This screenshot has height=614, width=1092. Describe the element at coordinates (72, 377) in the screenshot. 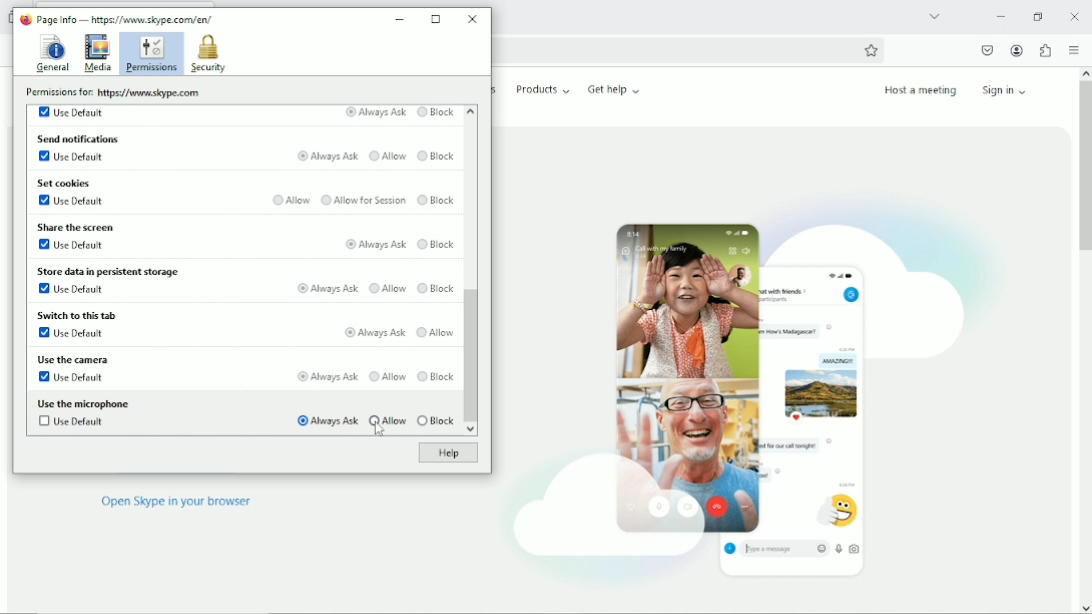

I see `Use default` at that location.